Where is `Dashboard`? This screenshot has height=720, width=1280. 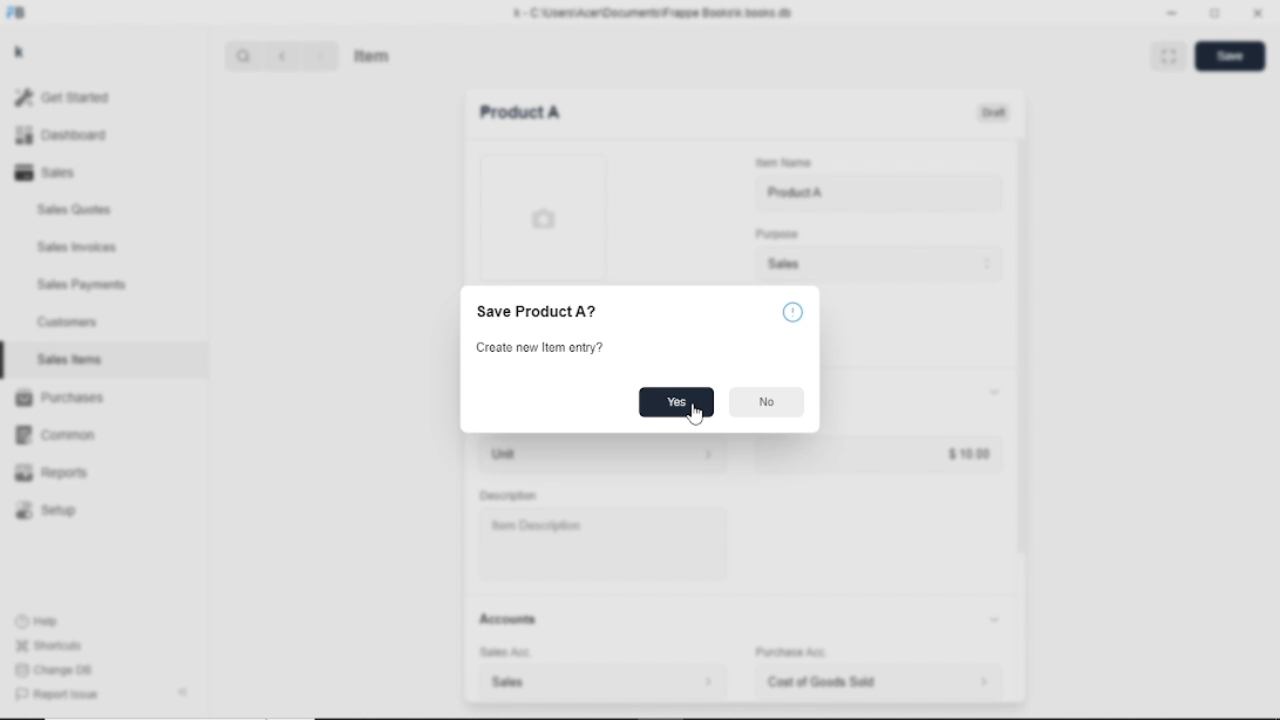
Dashboard is located at coordinates (62, 136).